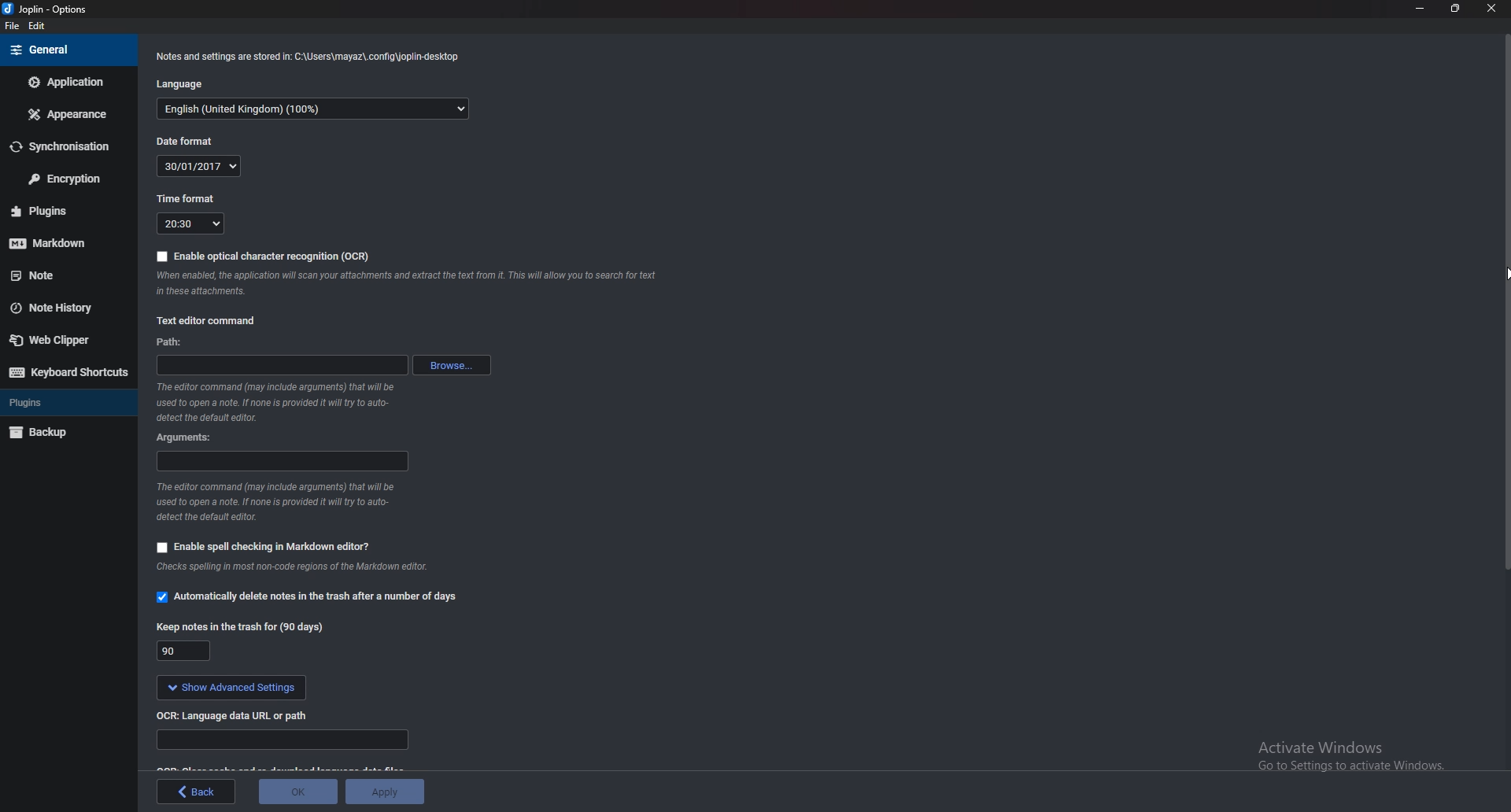  Describe the element at coordinates (242, 715) in the screenshot. I see `O C R language data url or path` at that location.